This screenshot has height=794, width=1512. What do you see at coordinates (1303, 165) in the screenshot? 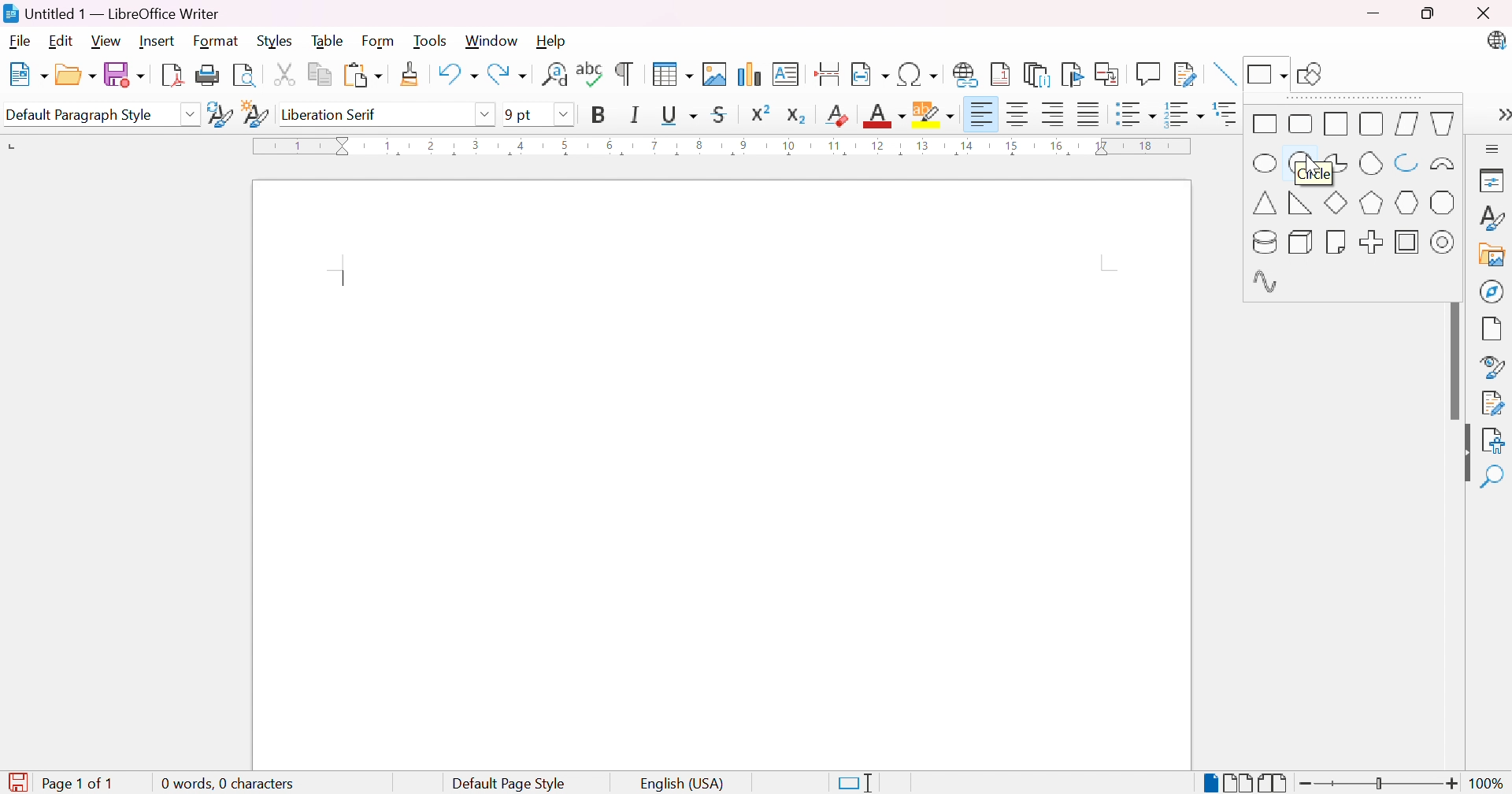
I see `Circle` at bounding box center [1303, 165].